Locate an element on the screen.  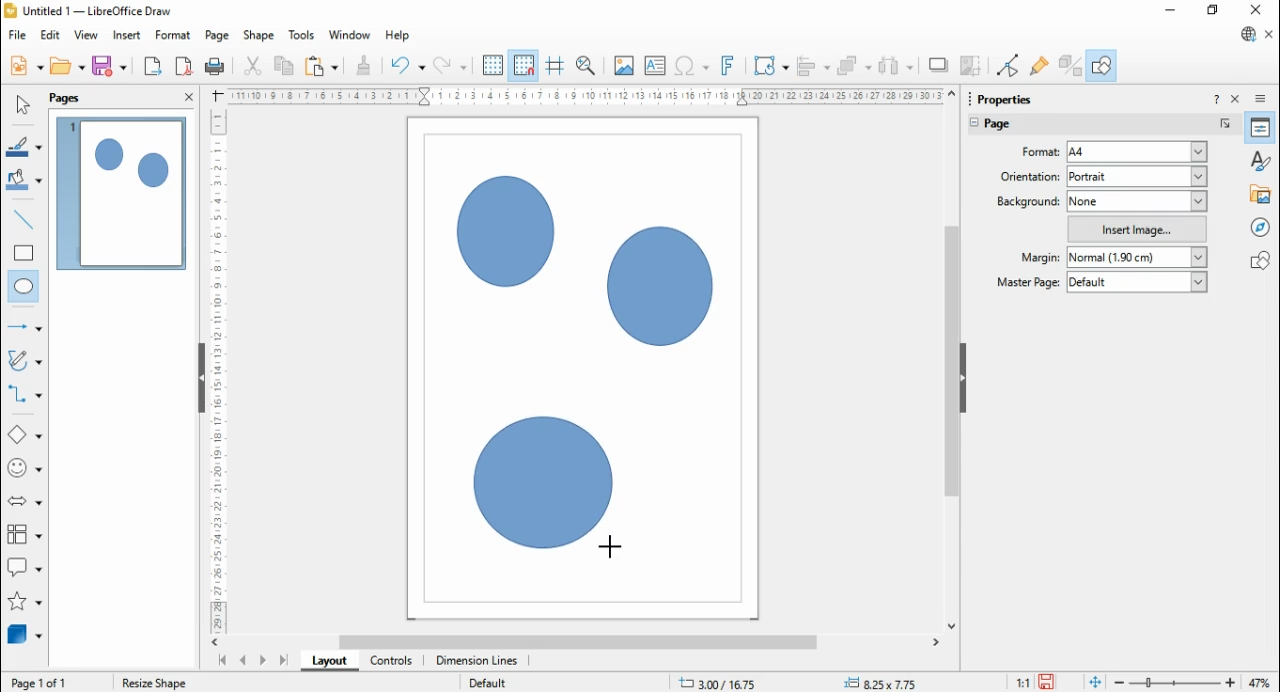
callout shapes is located at coordinates (26, 570).